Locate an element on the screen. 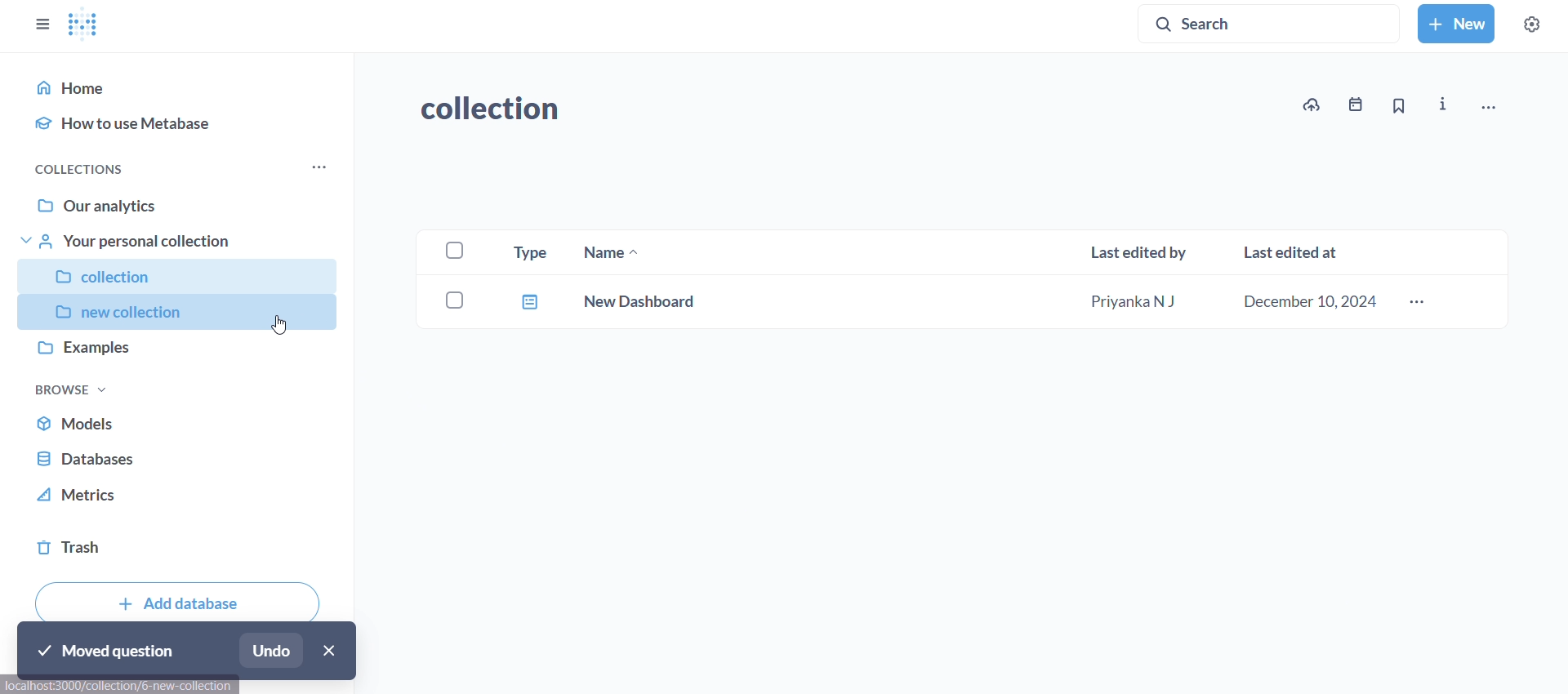 The height and width of the screenshot is (694, 1568). info is located at coordinates (1445, 105).